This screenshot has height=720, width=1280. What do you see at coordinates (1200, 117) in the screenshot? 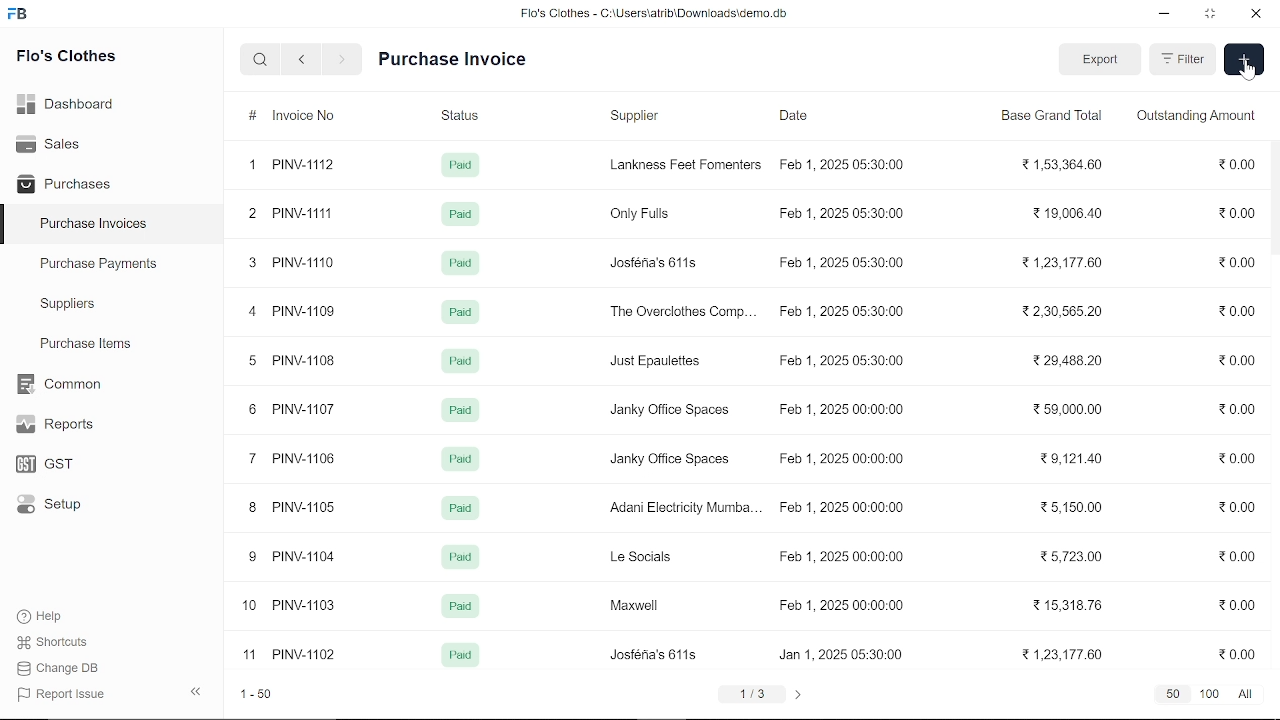
I see `Outstanding Amount` at bounding box center [1200, 117].